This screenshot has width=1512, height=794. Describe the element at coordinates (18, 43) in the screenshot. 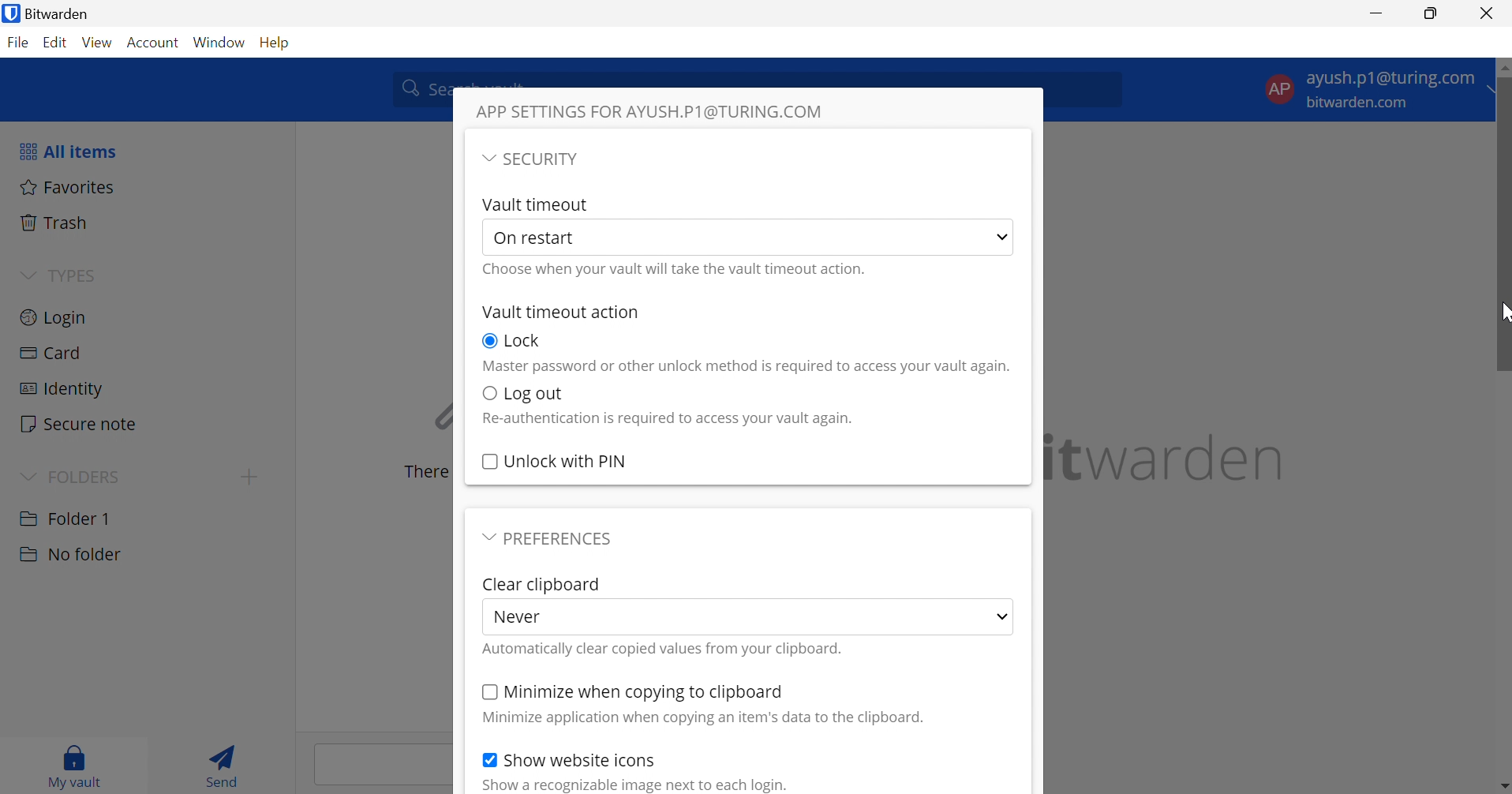

I see `File` at that location.